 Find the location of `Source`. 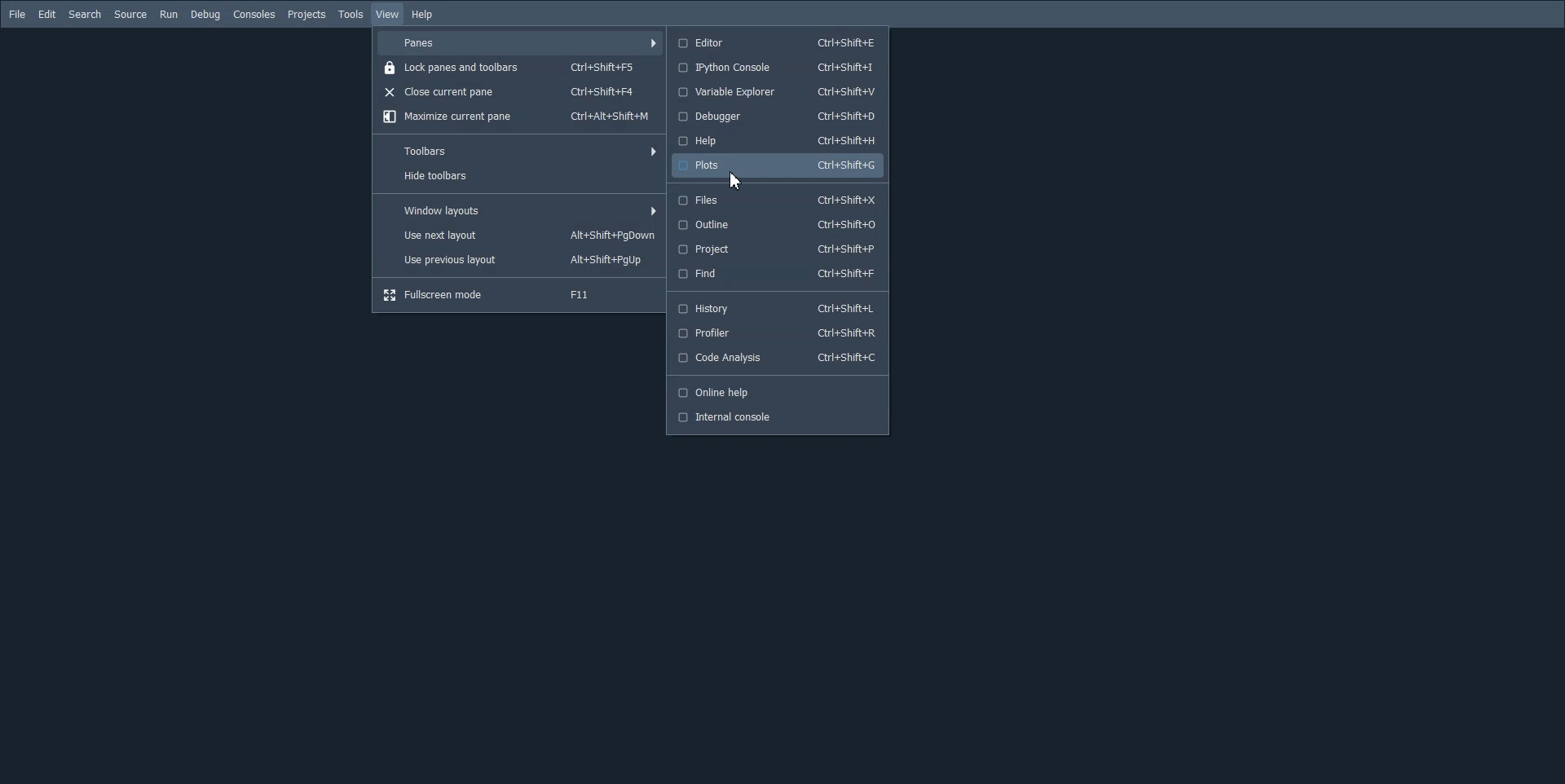

Source is located at coordinates (130, 14).